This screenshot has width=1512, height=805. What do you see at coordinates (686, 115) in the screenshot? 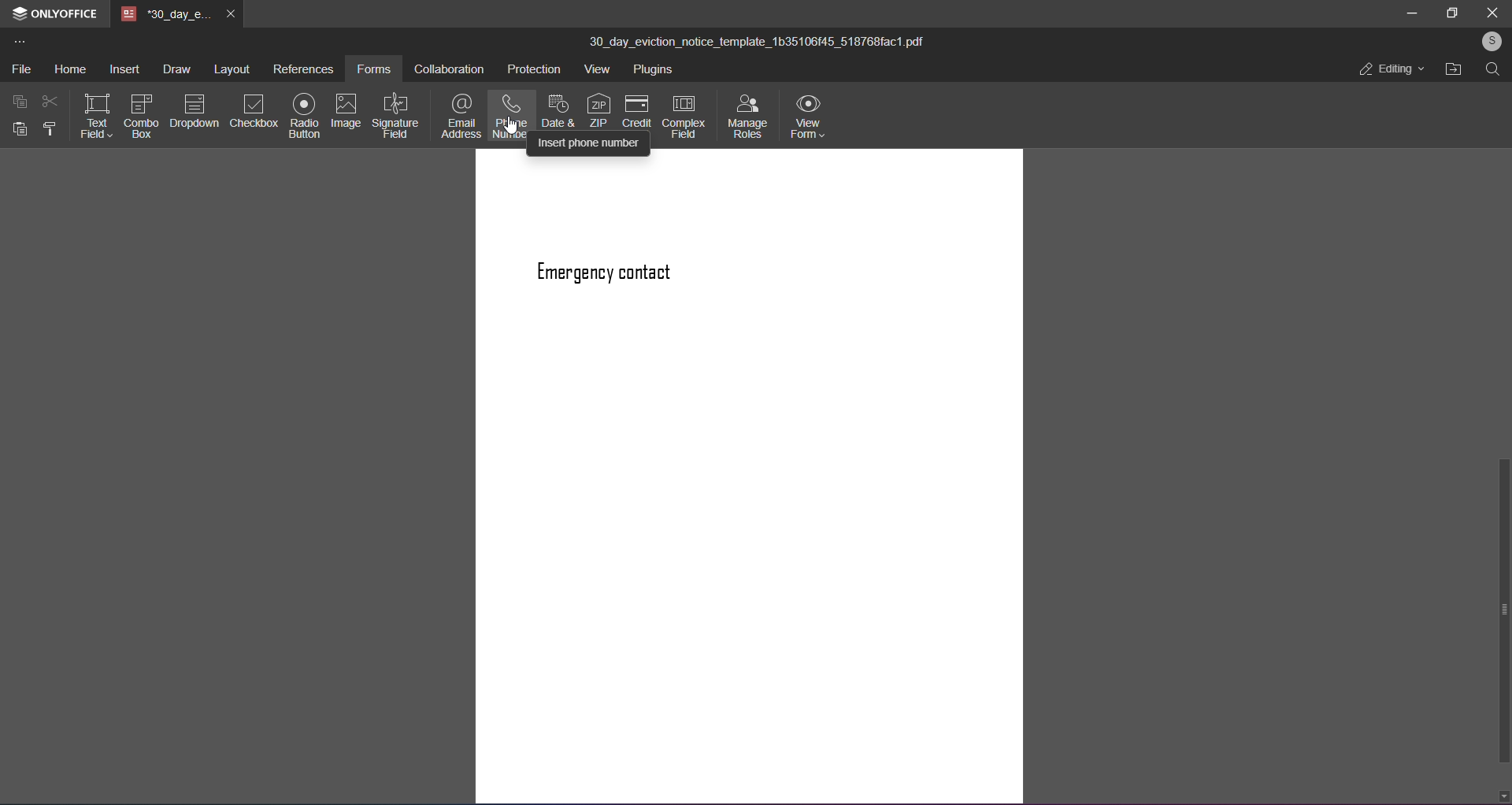
I see `complex feed` at bounding box center [686, 115].